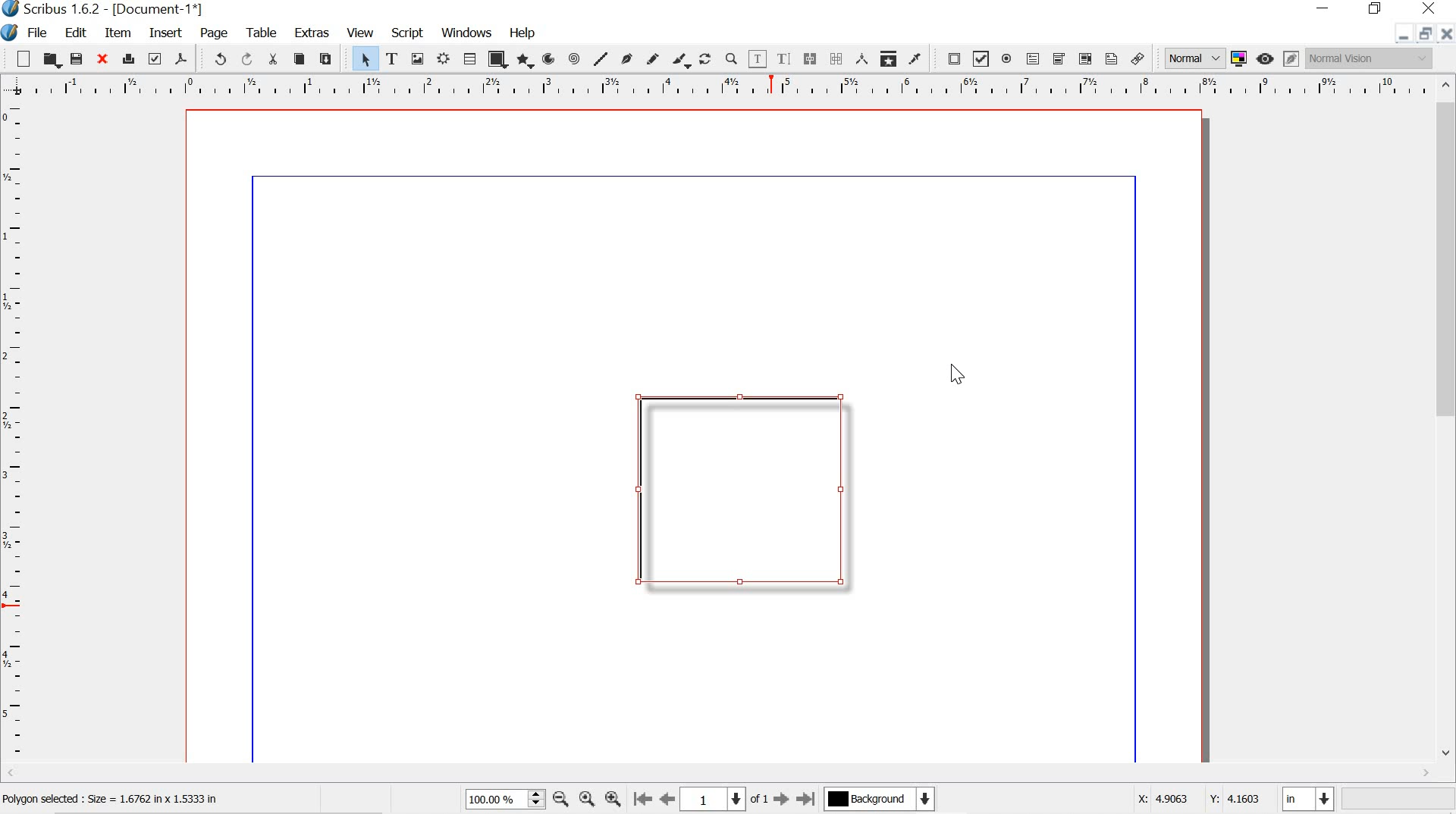  Describe the element at coordinates (1032, 58) in the screenshot. I see `pdf text field` at that location.